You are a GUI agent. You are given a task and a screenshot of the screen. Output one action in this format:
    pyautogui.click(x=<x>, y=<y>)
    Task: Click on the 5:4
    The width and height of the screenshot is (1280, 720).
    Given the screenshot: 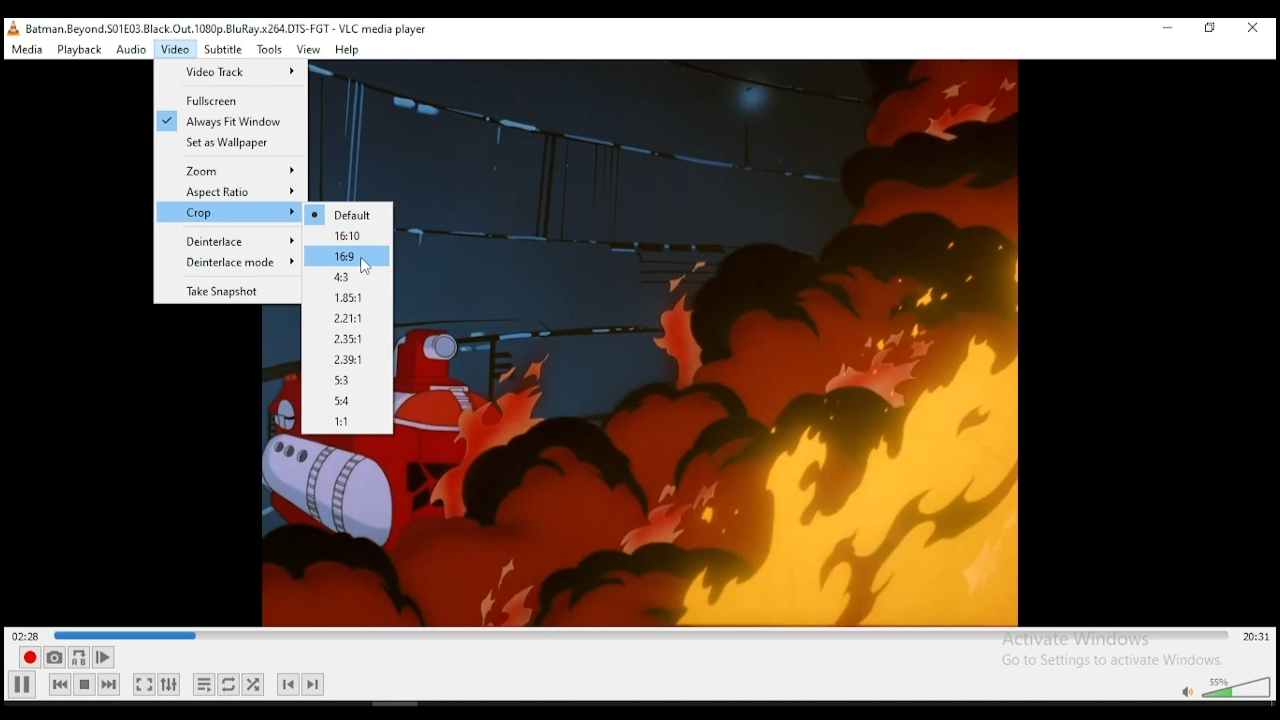 What is the action you would take?
    pyautogui.click(x=347, y=402)
    